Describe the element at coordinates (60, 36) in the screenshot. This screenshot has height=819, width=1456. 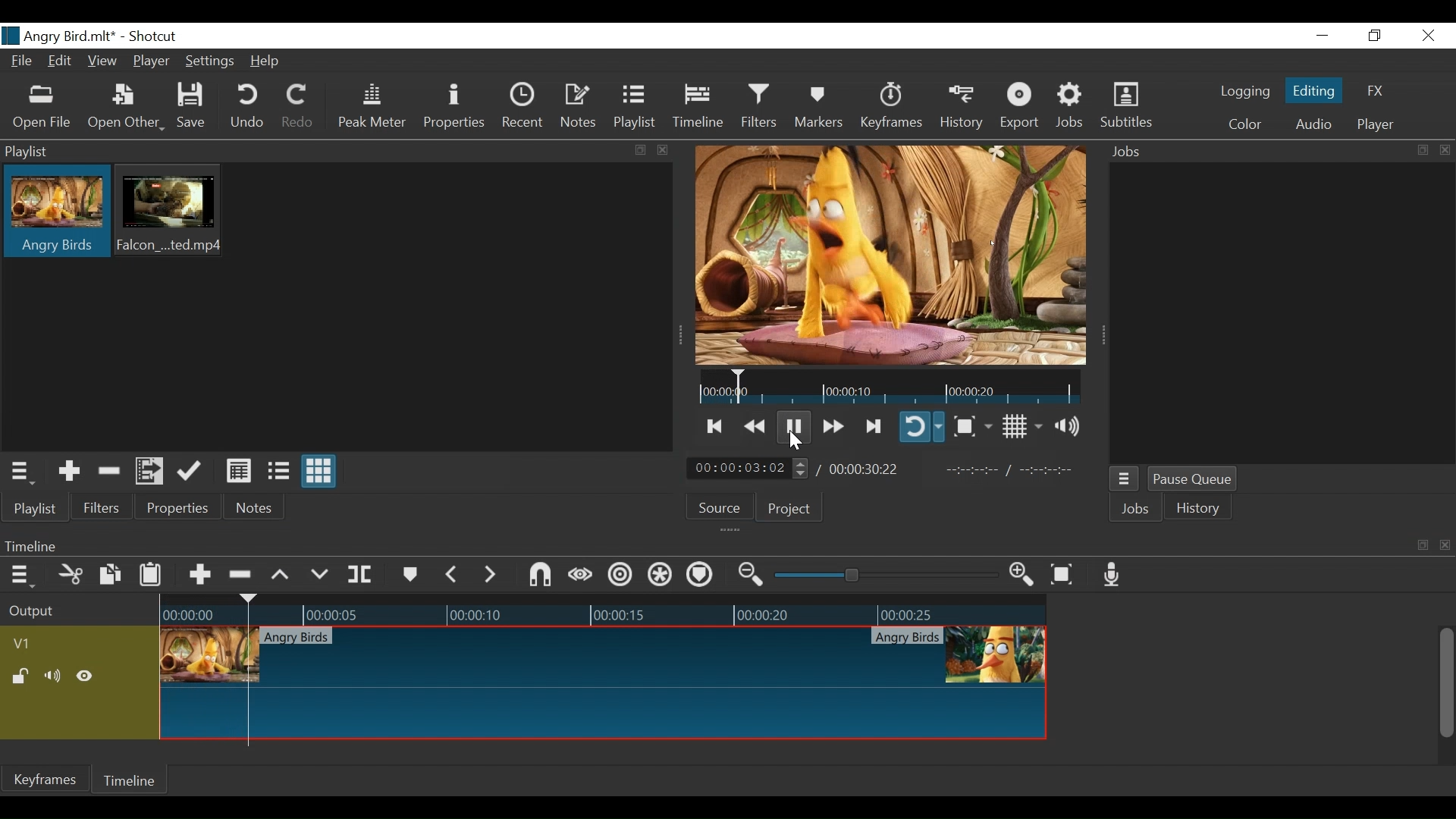
I see `File Name` at that location.